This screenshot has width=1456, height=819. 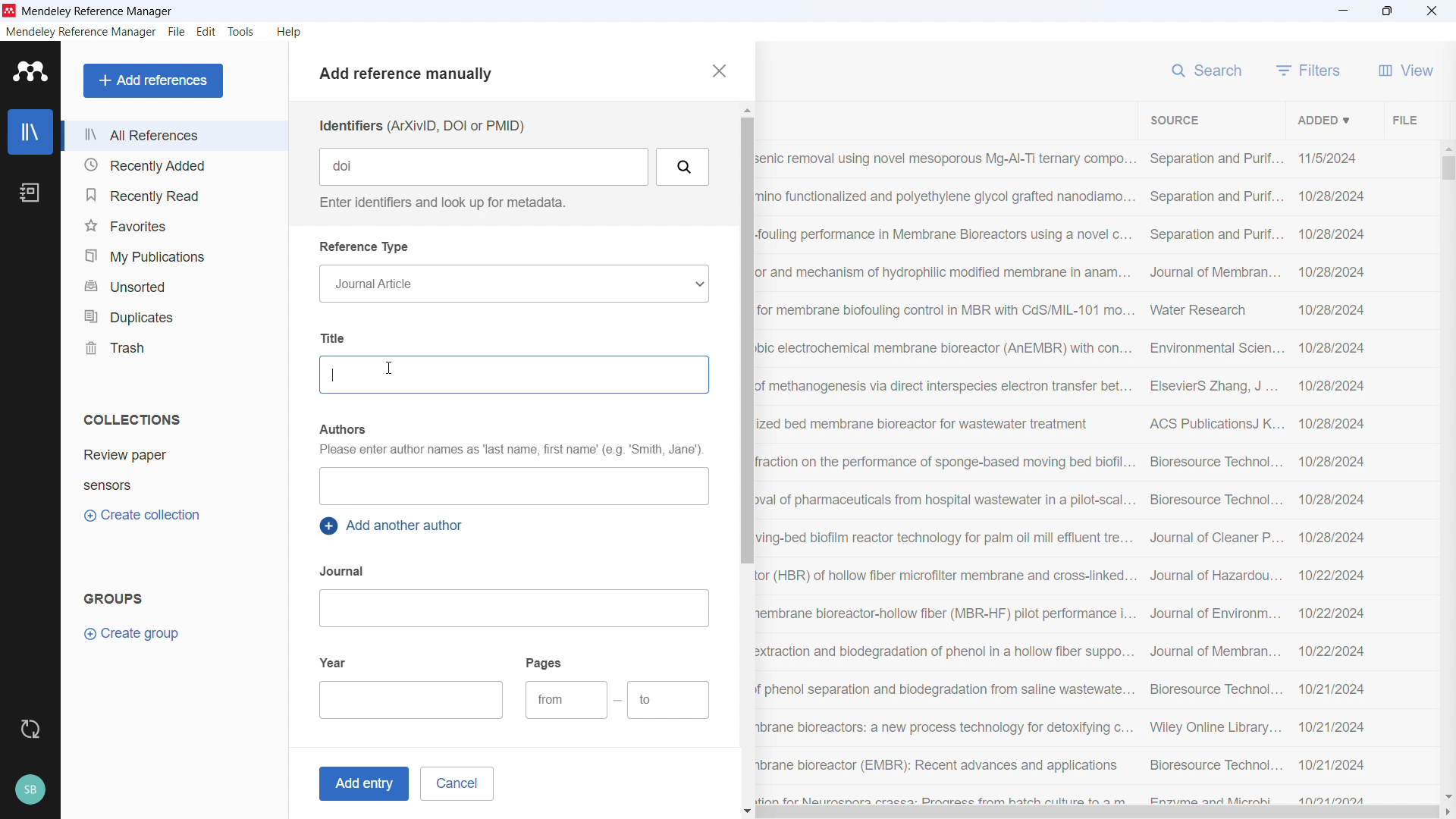 What do you see at coordinates (1098, 813) in the screenshot?
I see `Horizontal scroll bar ` at bounding box center [1098, 813].